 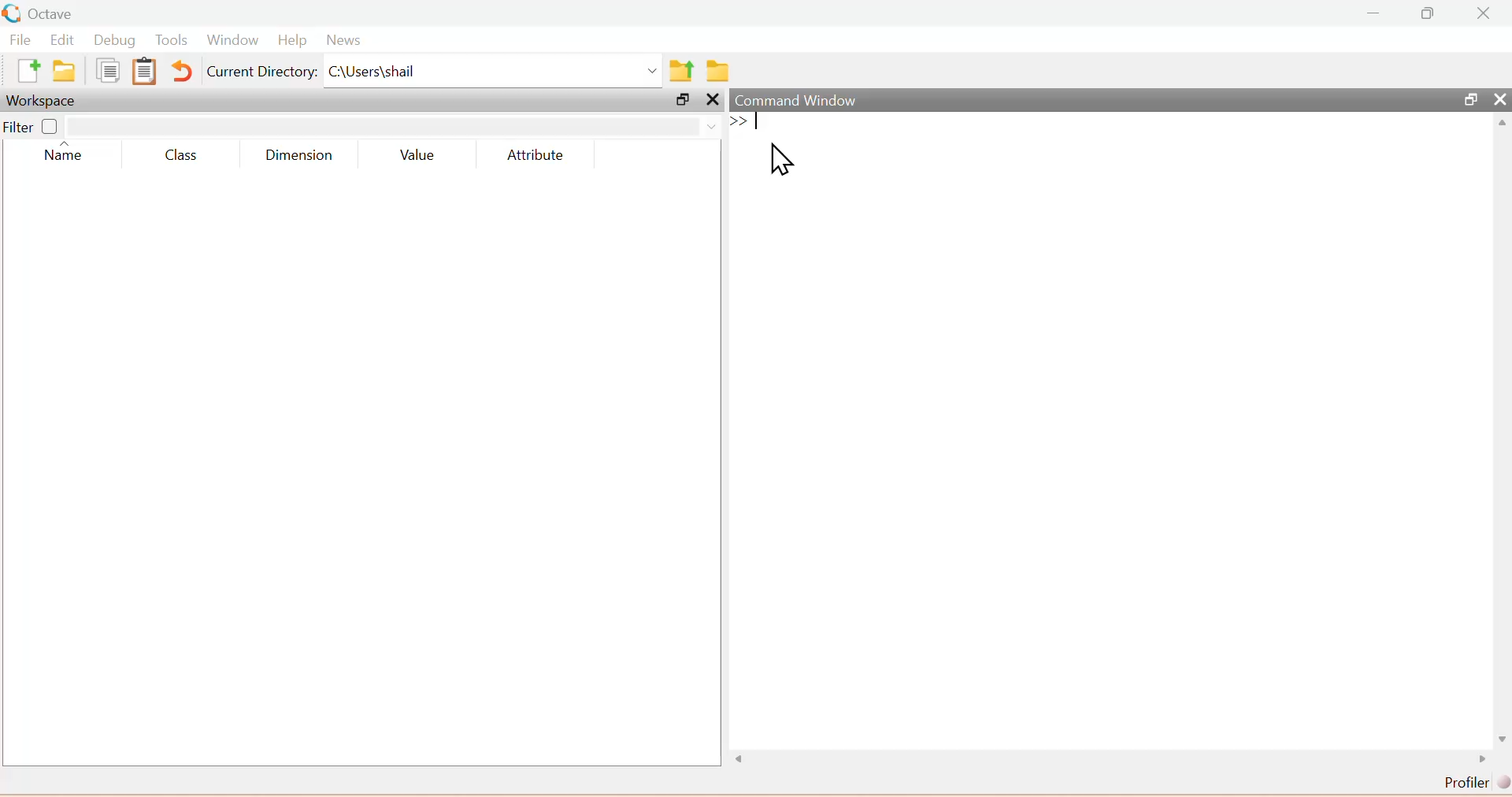 What do you see at coordinates (144, 71) in the screenshot?
I see `paste` at bounding box center [144, 71].